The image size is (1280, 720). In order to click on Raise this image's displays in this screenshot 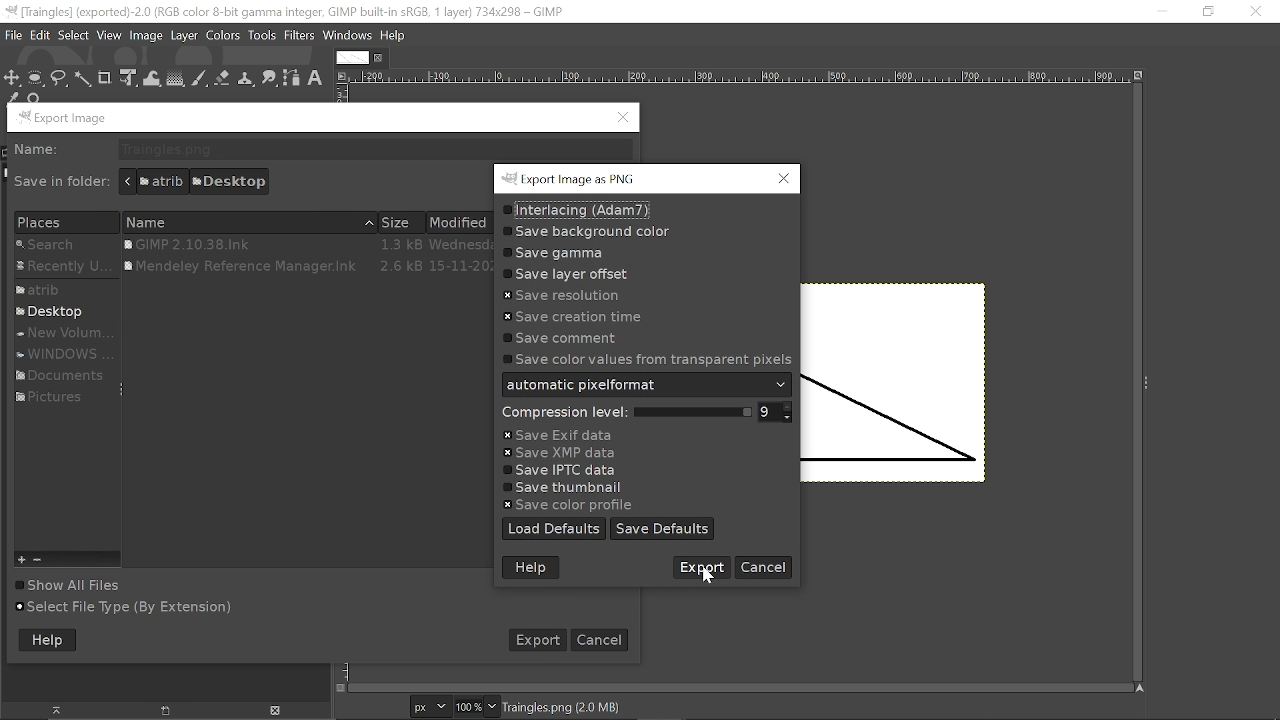, I will do `click(57, 710)`.